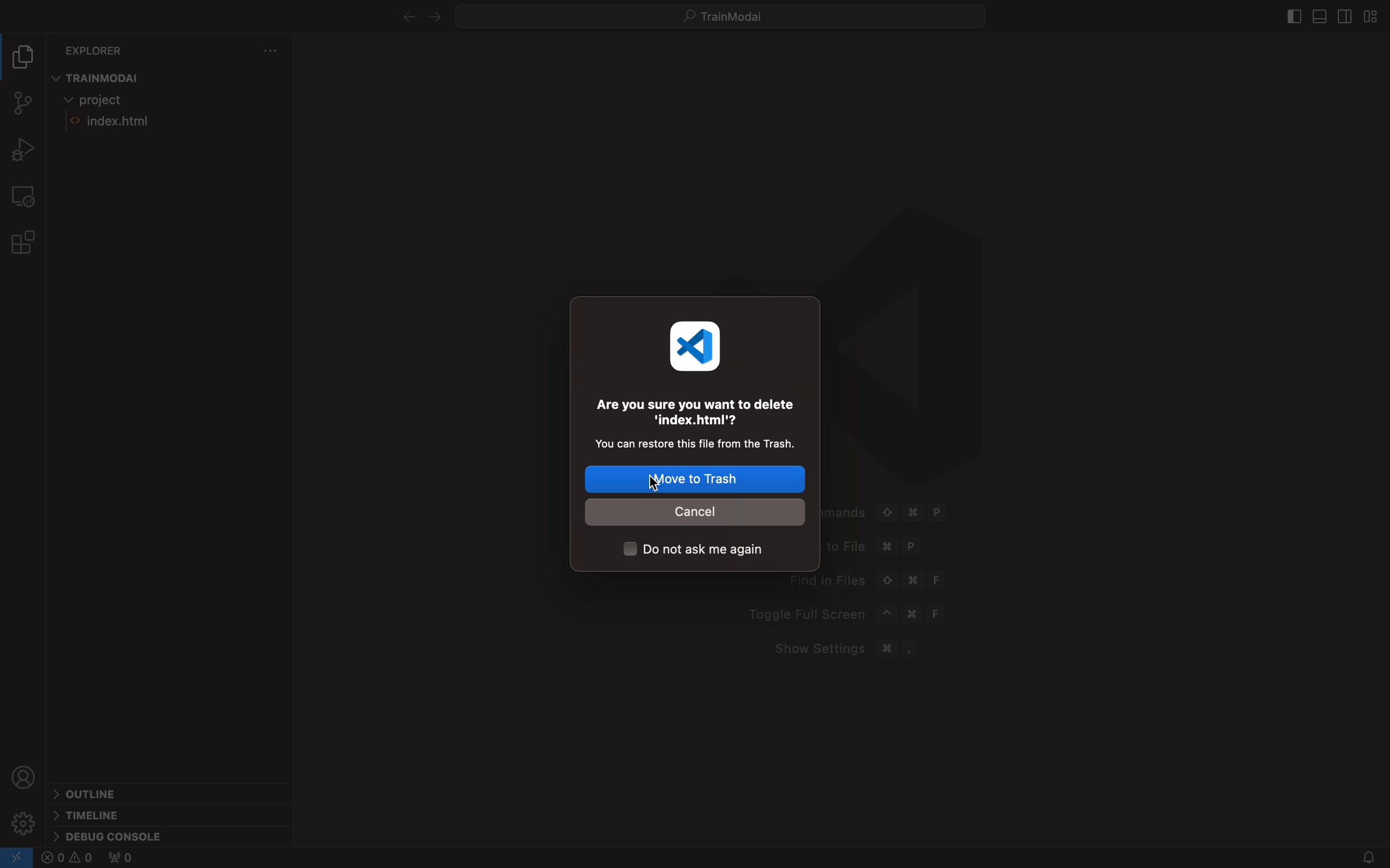 The width and height of the screenshot is (1390, 868). What do you see at coordinates (698, 511) in the screenshot?
I see `cancel` at bounding box center [698, 511].